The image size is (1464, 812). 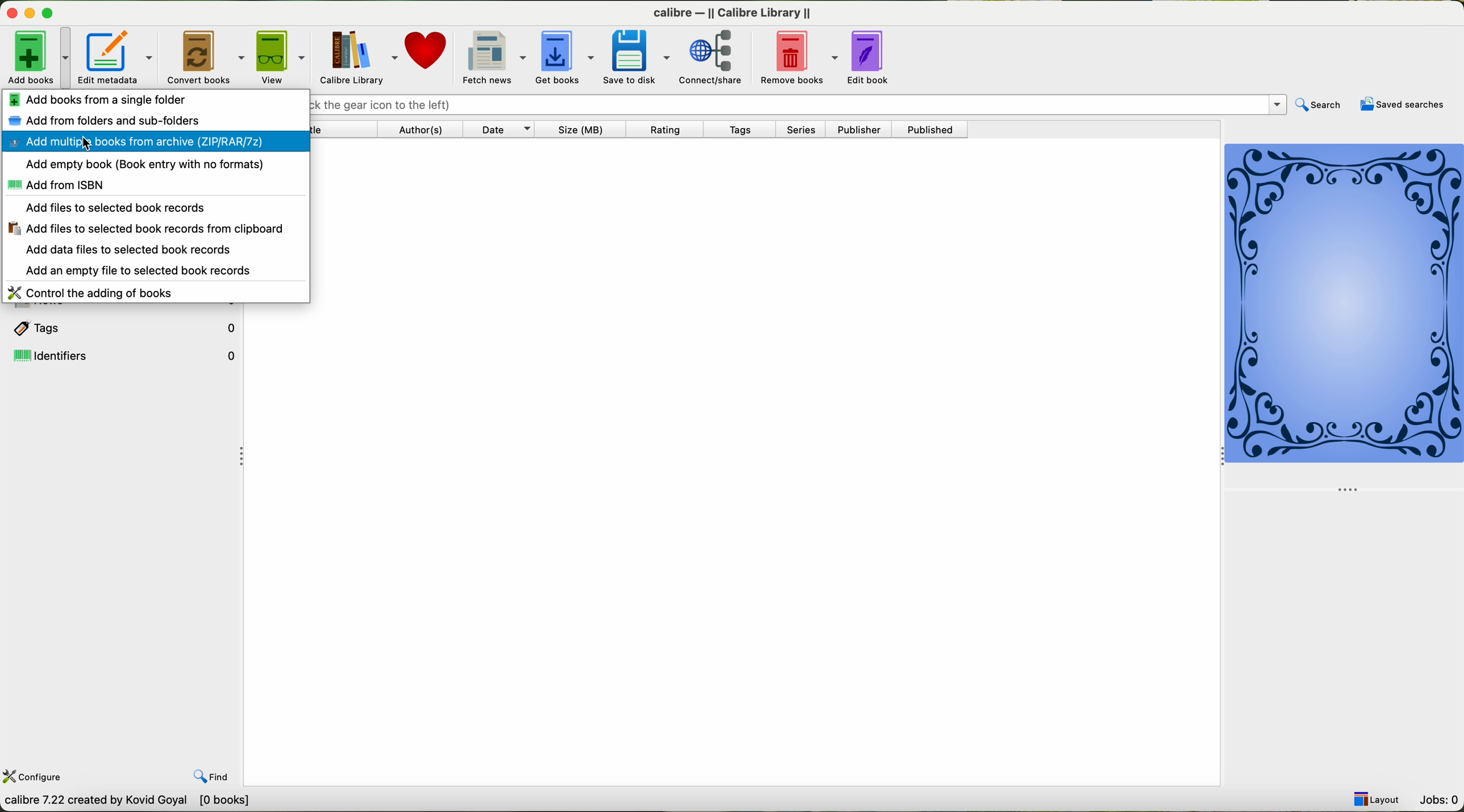 What do you see at coordinates (801, 58) in the screenshot?
I see `remove books` at bounding box center [801, 58].